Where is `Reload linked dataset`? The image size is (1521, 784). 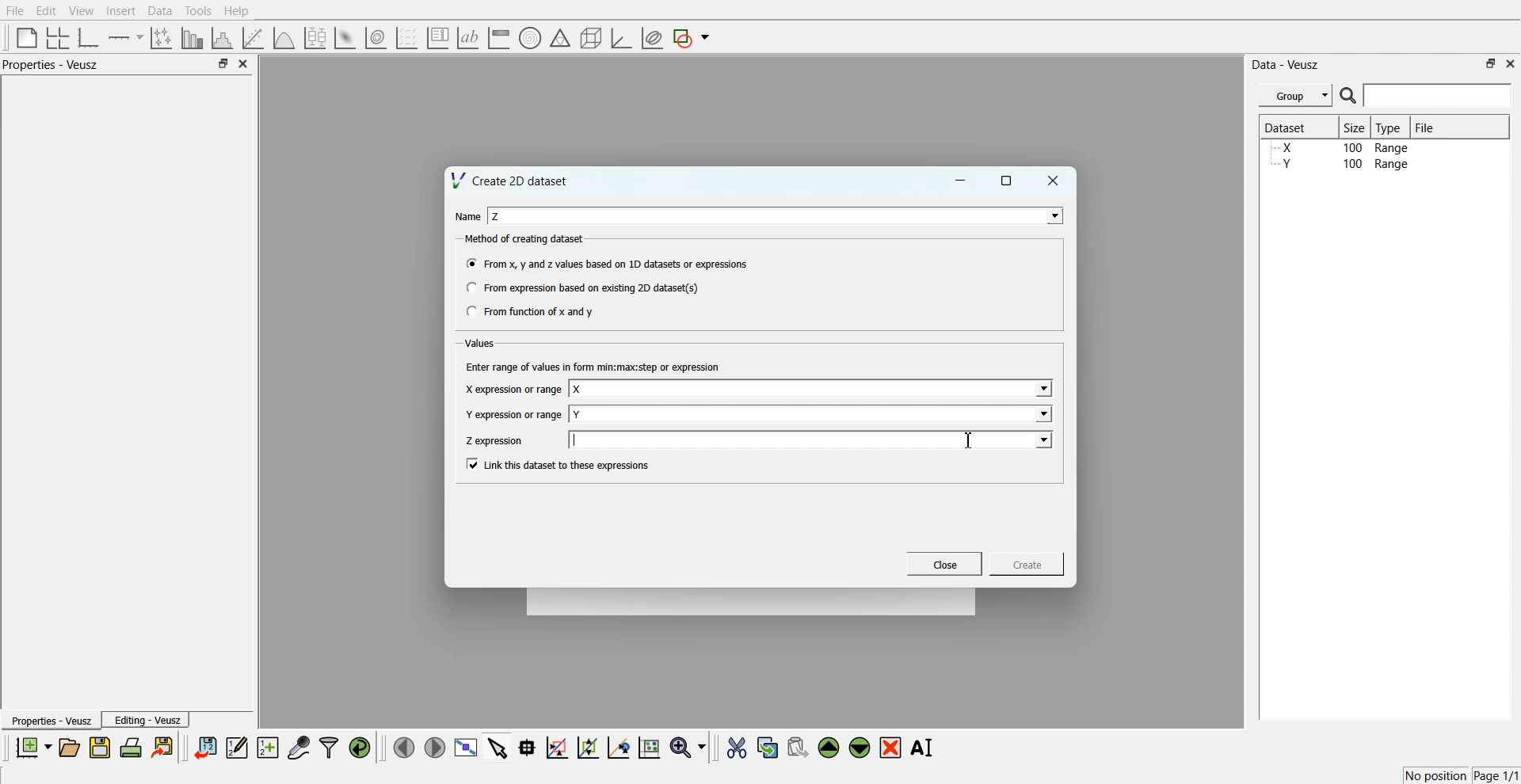
Reload linked dataset is located at coordinates (360, 748).